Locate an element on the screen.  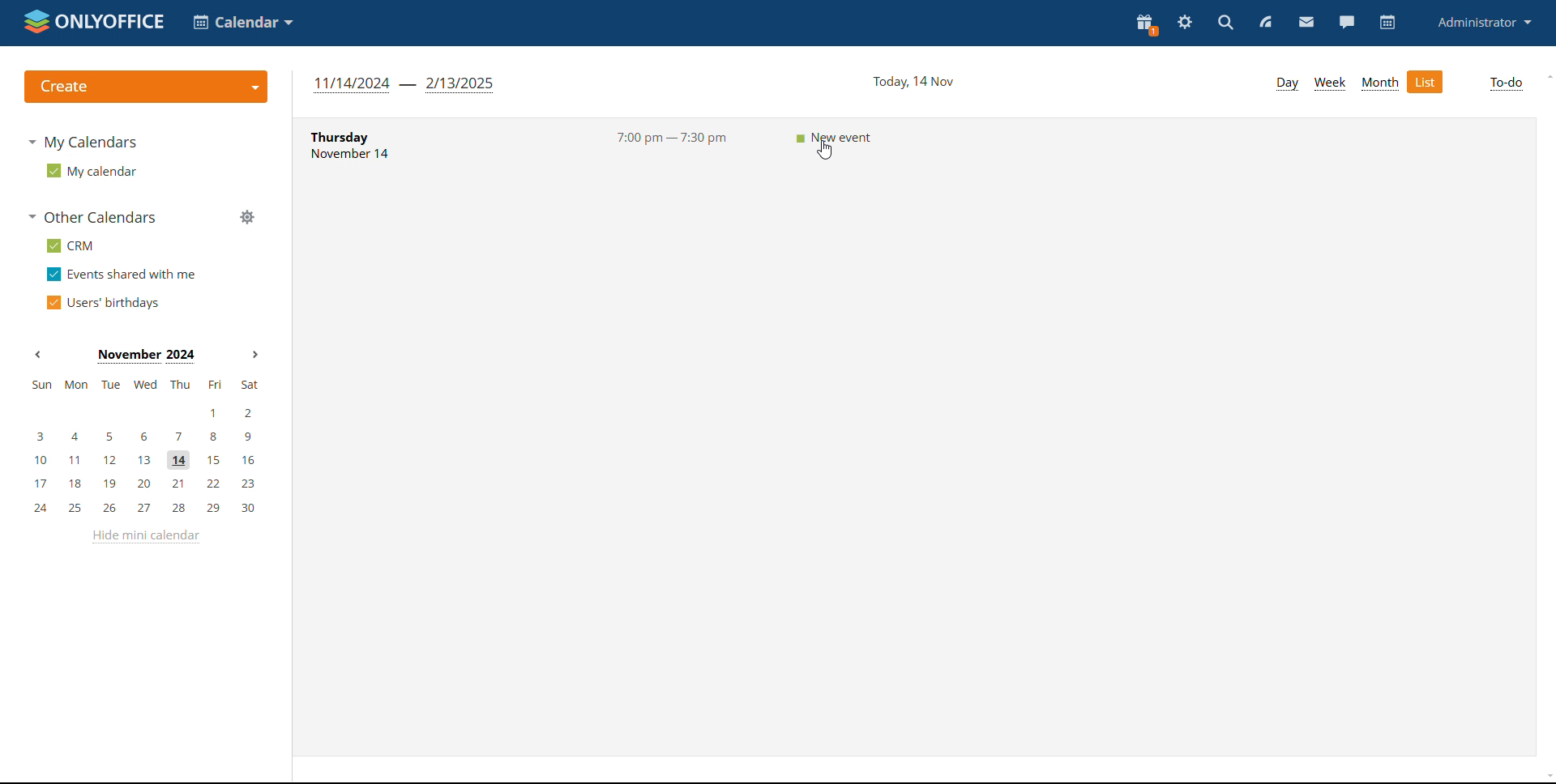
scroll up is located at coordinates (1546, 77).